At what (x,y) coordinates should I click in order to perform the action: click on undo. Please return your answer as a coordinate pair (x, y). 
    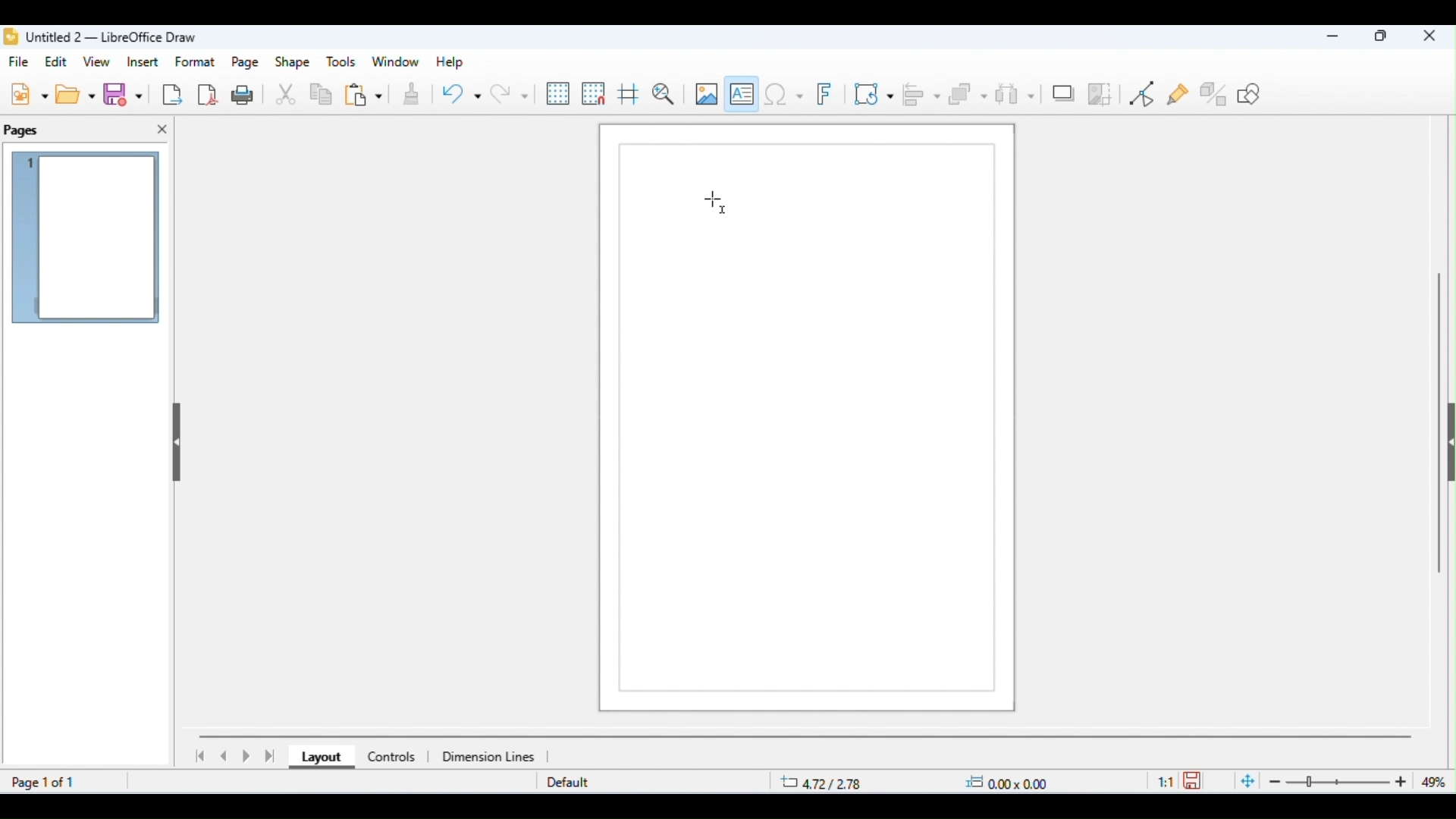
    Looking at the image, I should click on (461, 96).